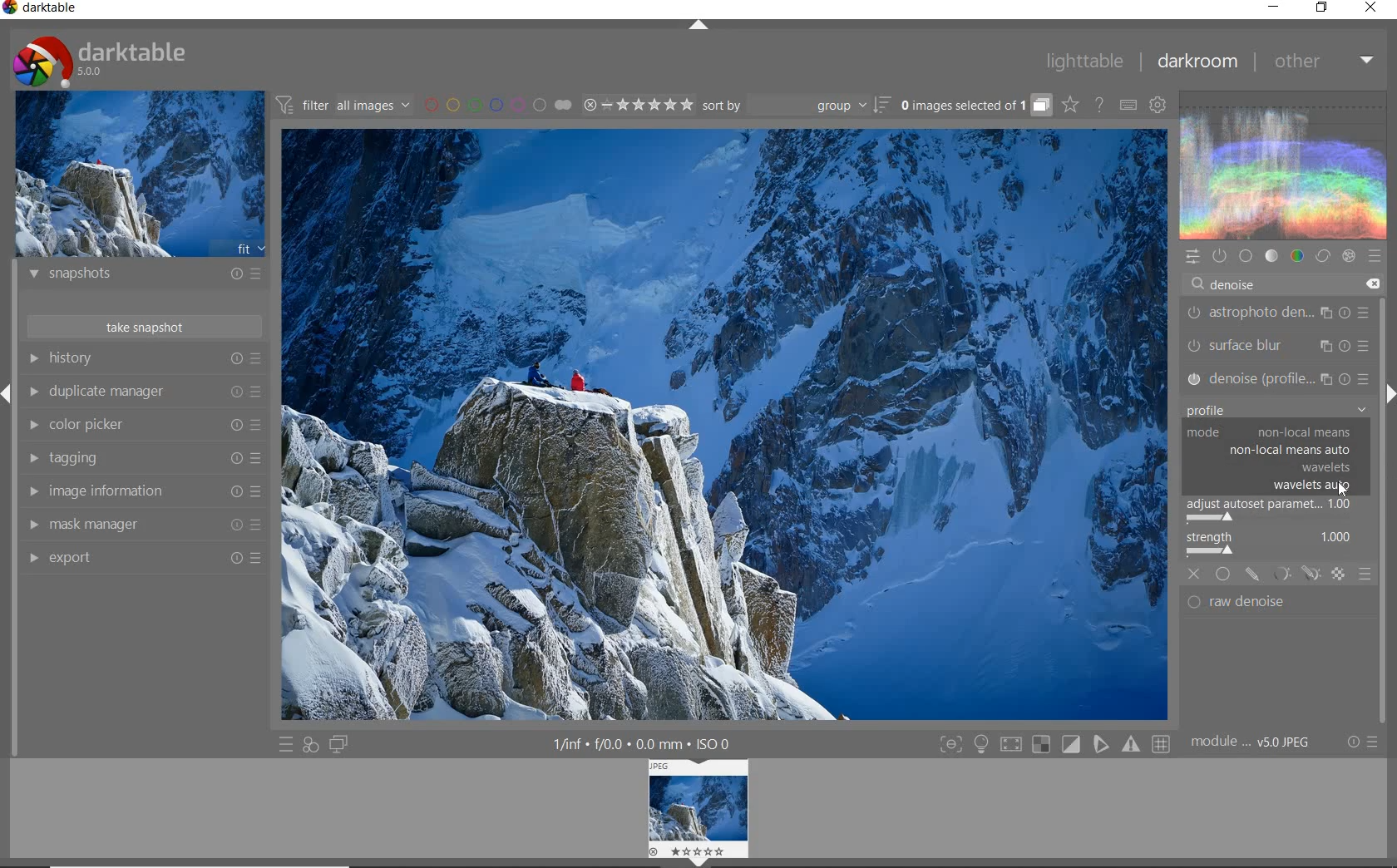 This screenshot has height=868, width=1397. I want to click on UNIFORMLY, so click(1223, 575).